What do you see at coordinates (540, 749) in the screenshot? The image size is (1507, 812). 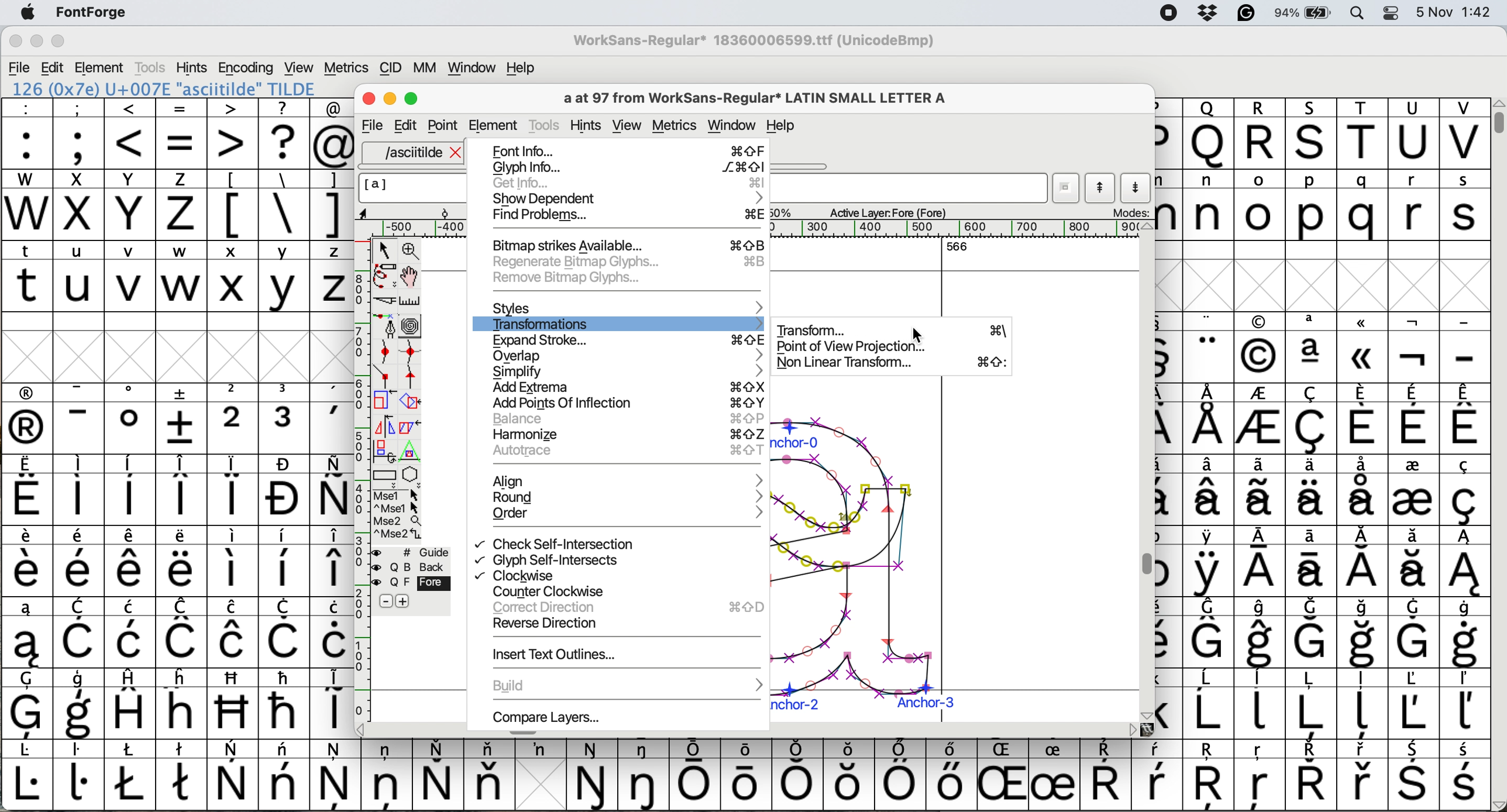 I see `symbol` at bounding box center [540, 749].